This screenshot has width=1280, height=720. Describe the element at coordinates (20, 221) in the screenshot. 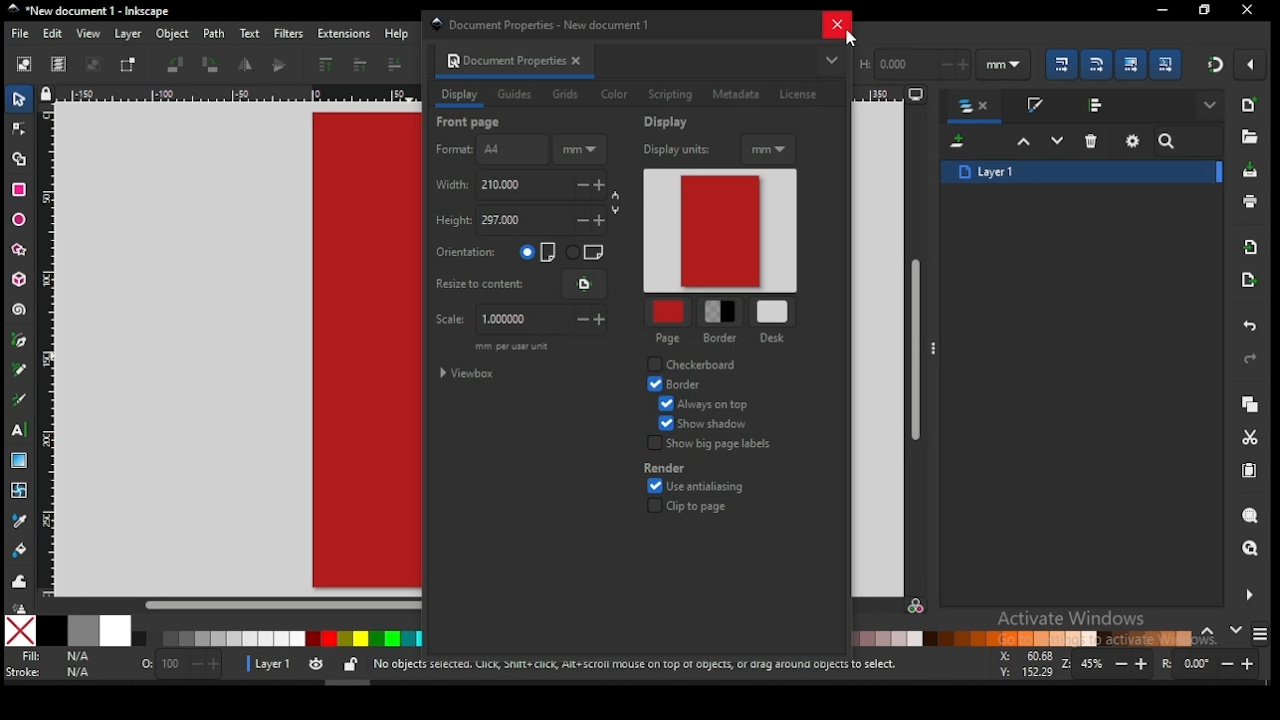

I see `ellipse/arc tool` at that location.